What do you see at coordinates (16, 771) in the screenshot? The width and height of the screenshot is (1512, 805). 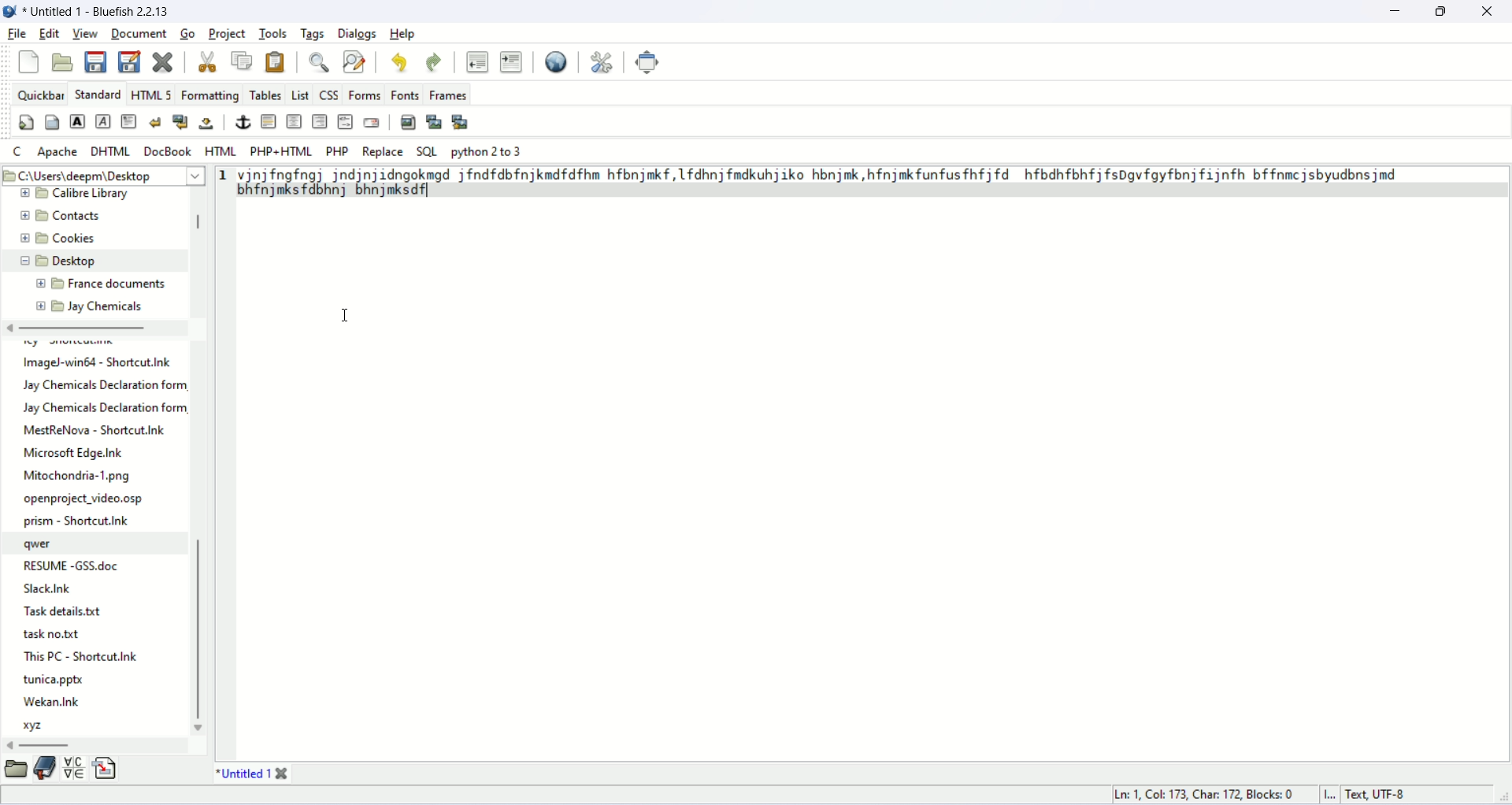 I see `browse file` at bounding box center [16, 771].